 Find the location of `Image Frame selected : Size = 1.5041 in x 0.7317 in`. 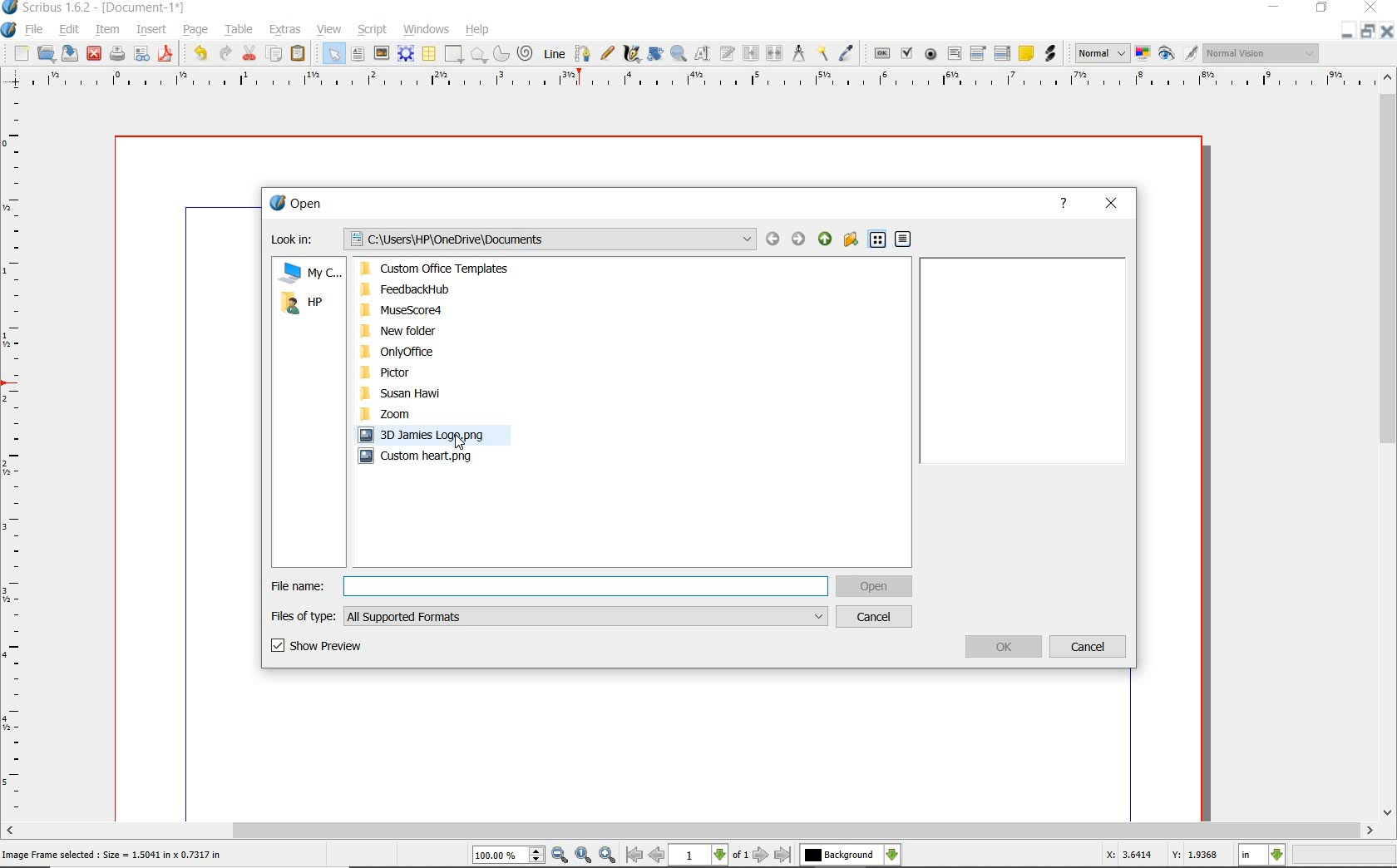

Image Frame selected : Size = 1.5041 in x 0.7317 in is located at coordinates (112, 853).